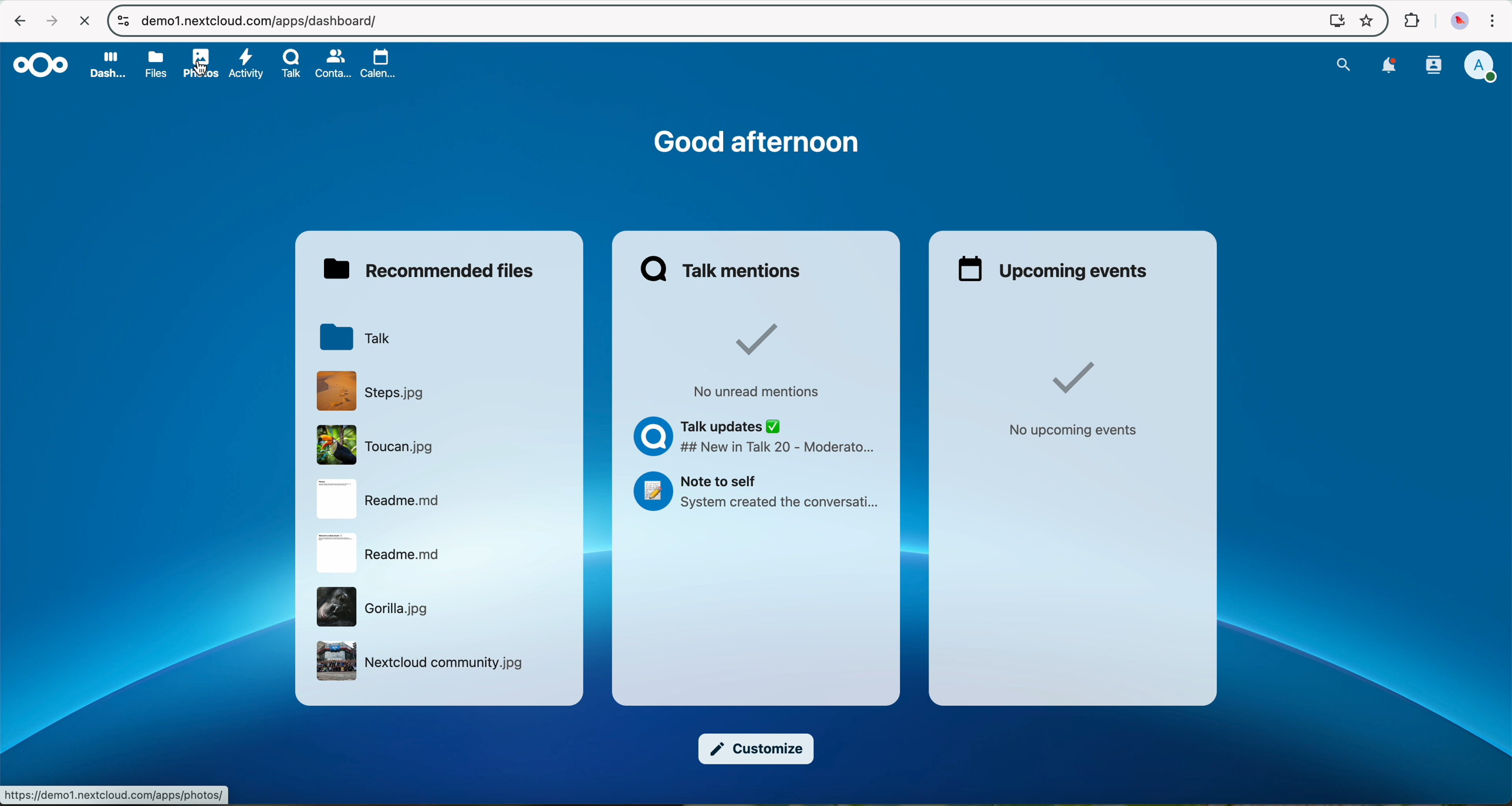  What do you see at coordinates (259, 21) in the screenshot?
I see `URL` at bounding box center [259, 21].